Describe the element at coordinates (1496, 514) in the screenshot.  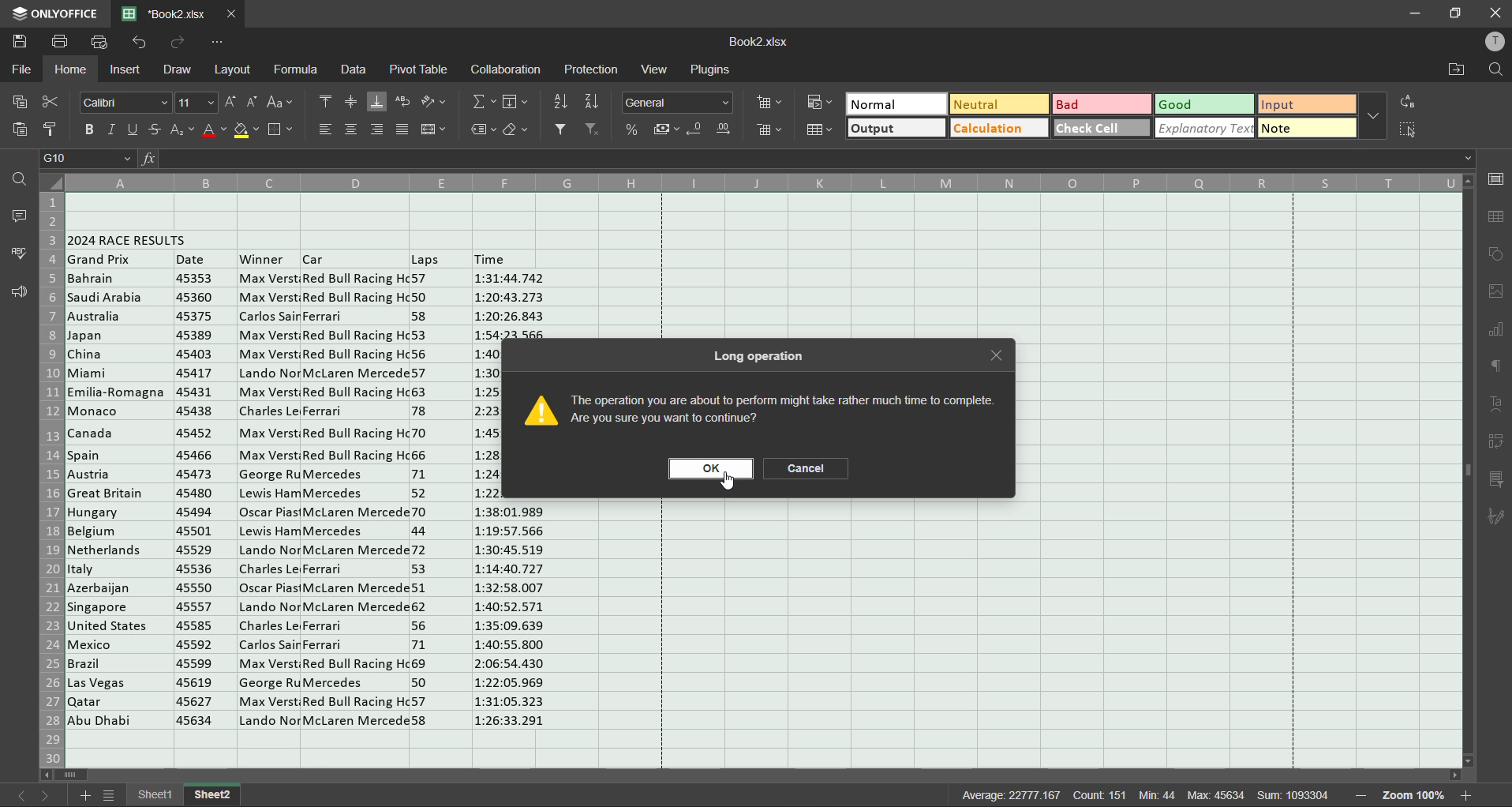
I see `signature` at that location.